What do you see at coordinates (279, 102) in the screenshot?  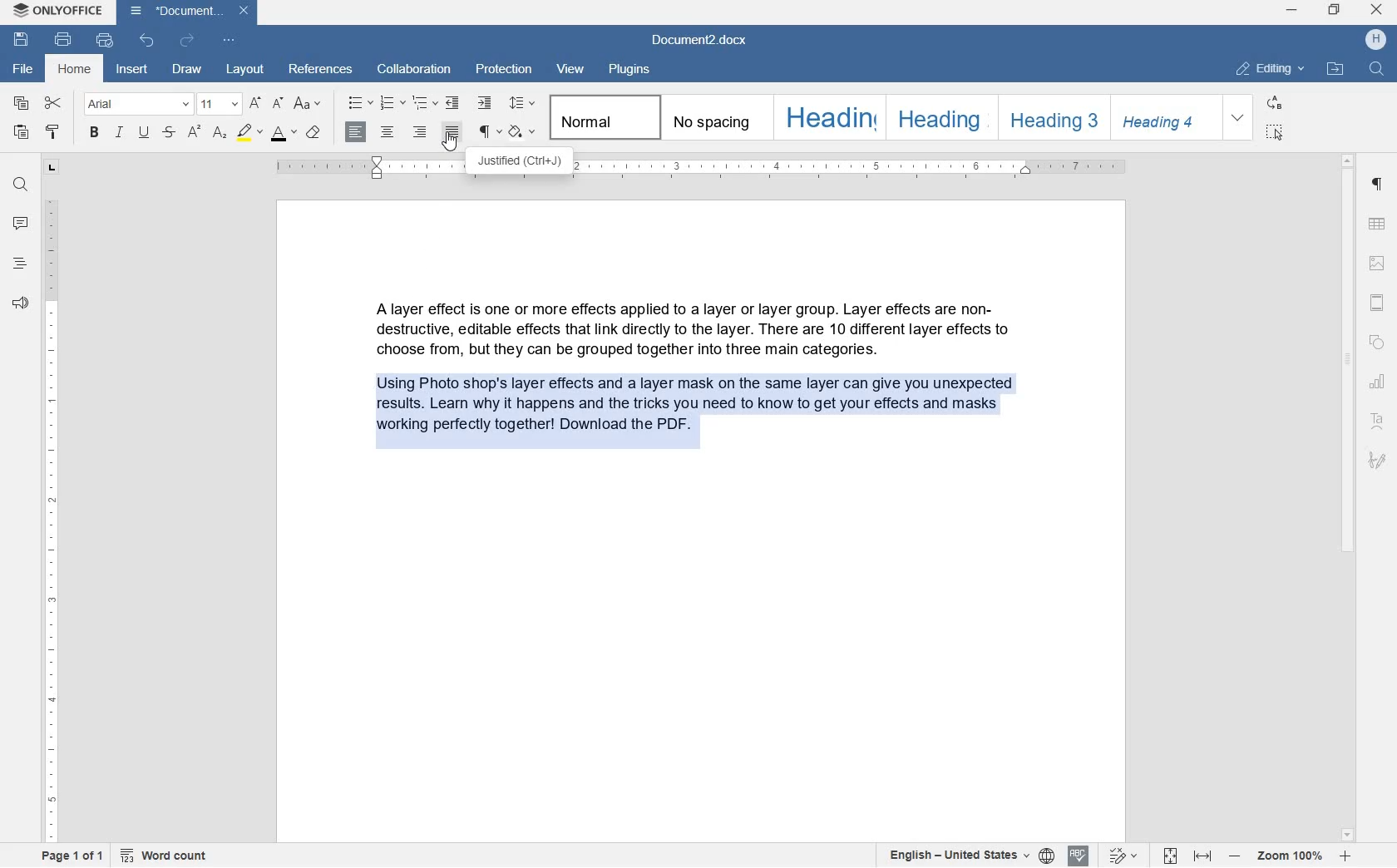 I see `DECREMENT FONT SIZE` at bounding box center [279, 102].